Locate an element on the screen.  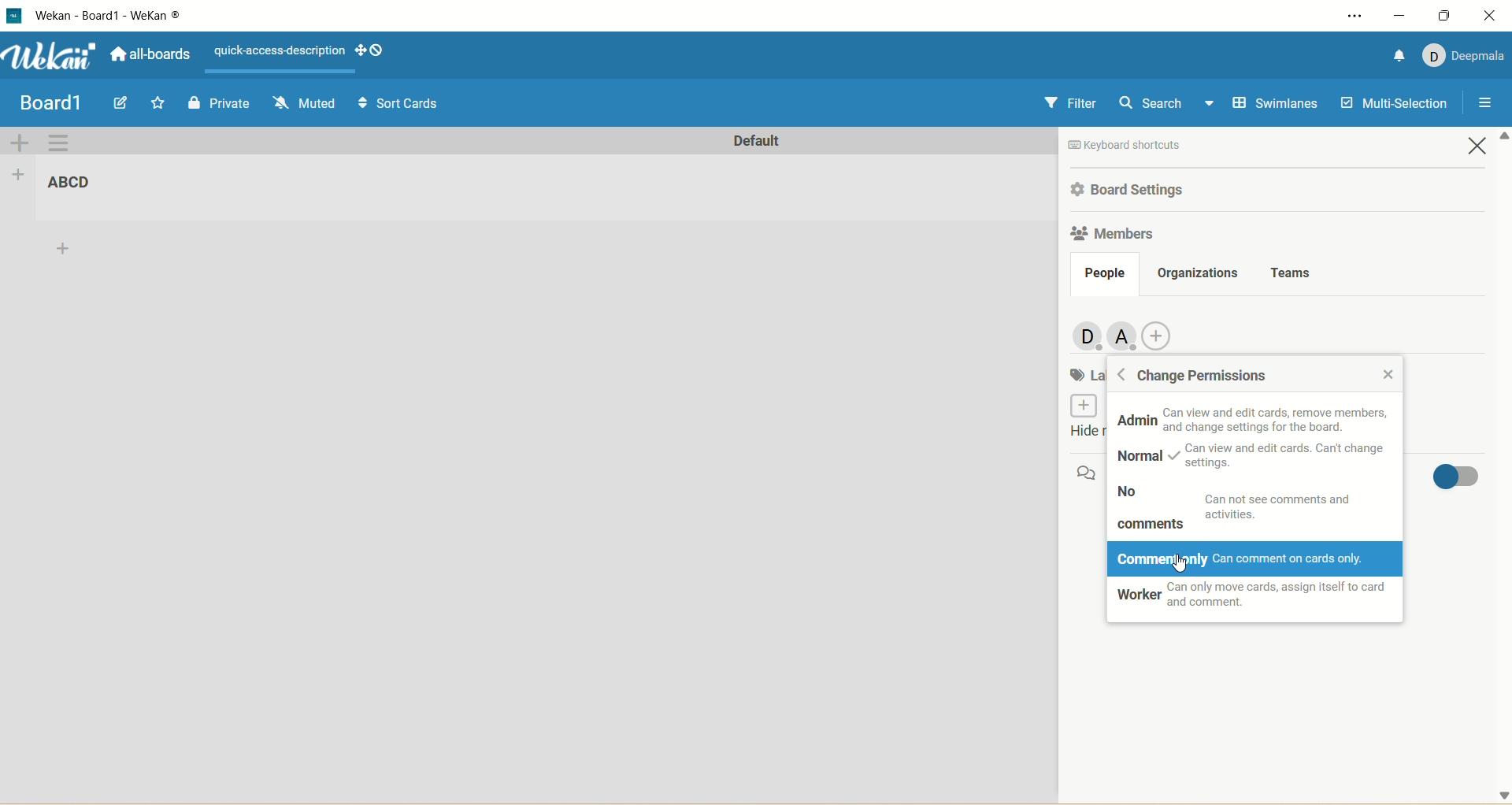
people is located at coordinates (1104, 274).